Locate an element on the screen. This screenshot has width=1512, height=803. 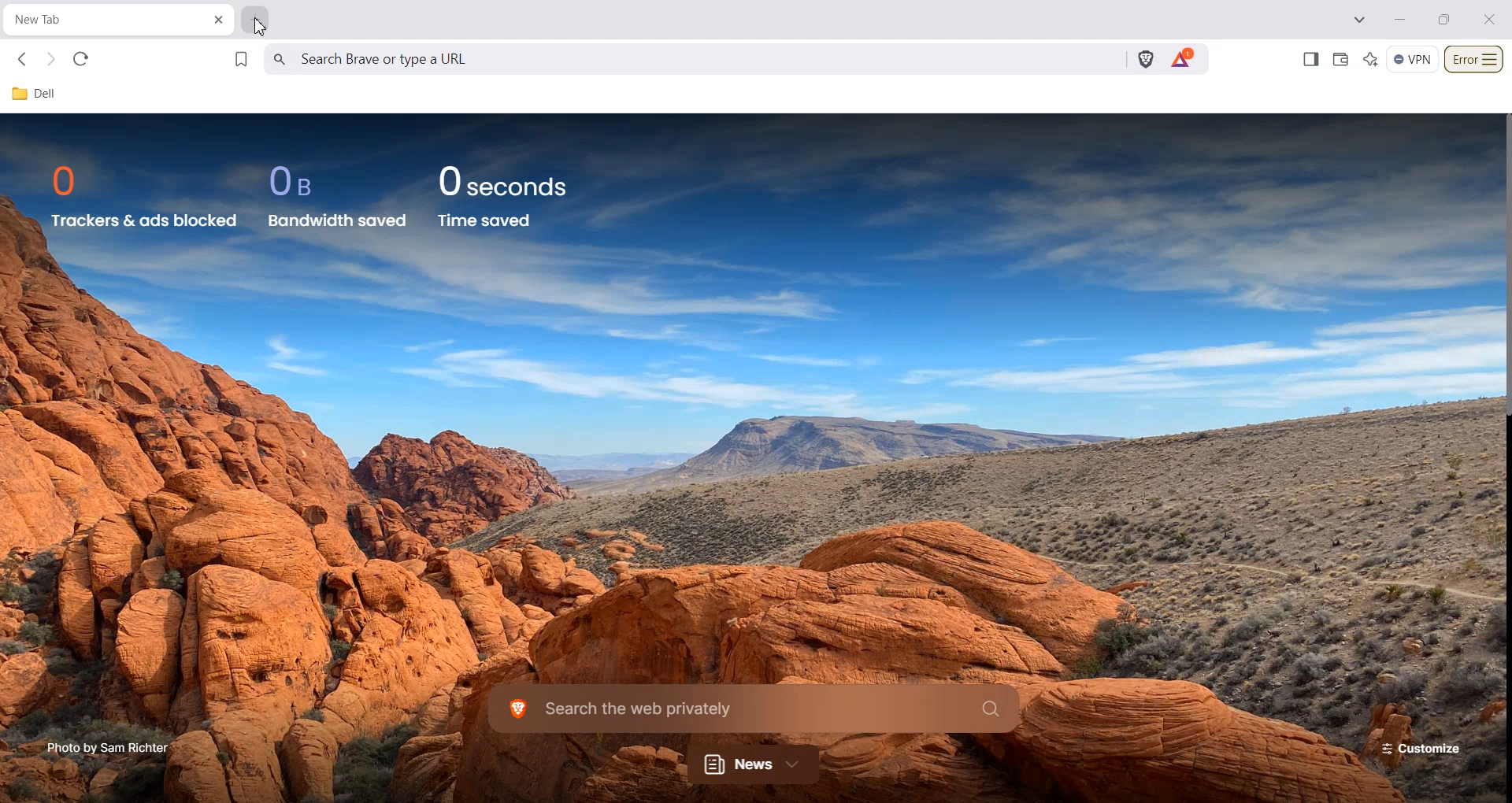
Minimize/Maximize is located at coordinates (1445, 20).